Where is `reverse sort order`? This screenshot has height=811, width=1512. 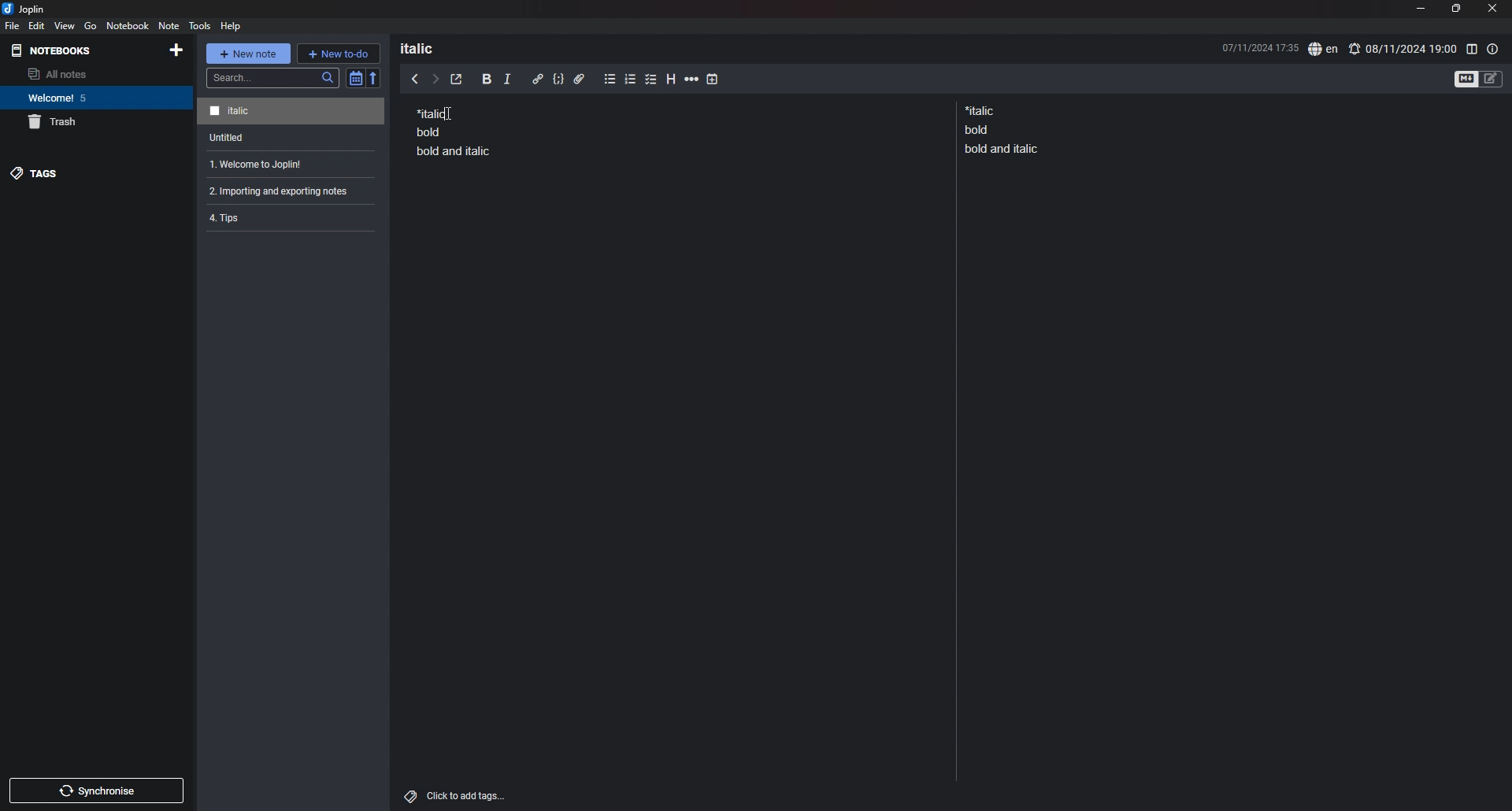 reverse sort order is located at coordinates (374, 77).